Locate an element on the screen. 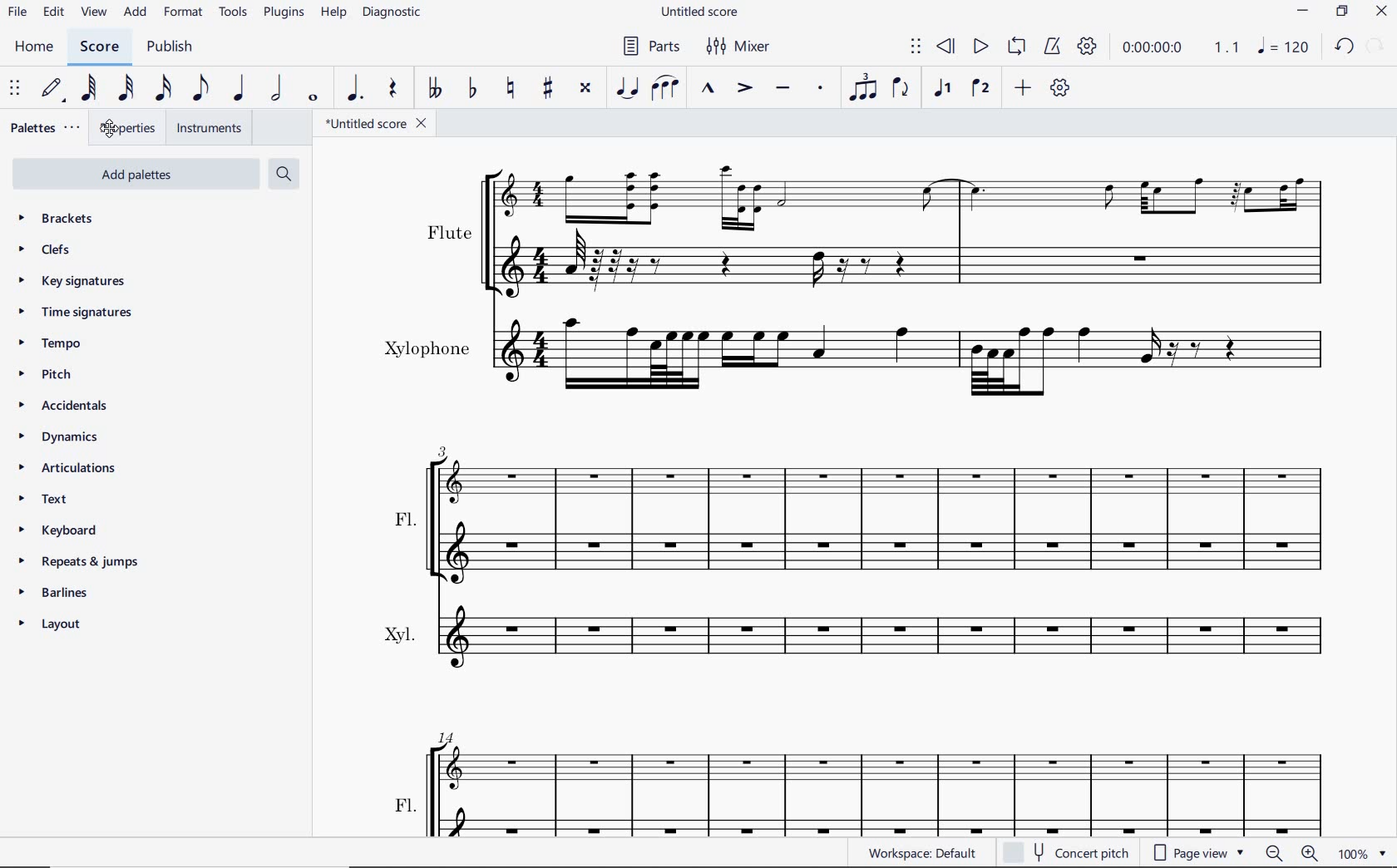 This screenshot has height=868, width=1397. 32ND NOTE is located at coordinates (123, 89).